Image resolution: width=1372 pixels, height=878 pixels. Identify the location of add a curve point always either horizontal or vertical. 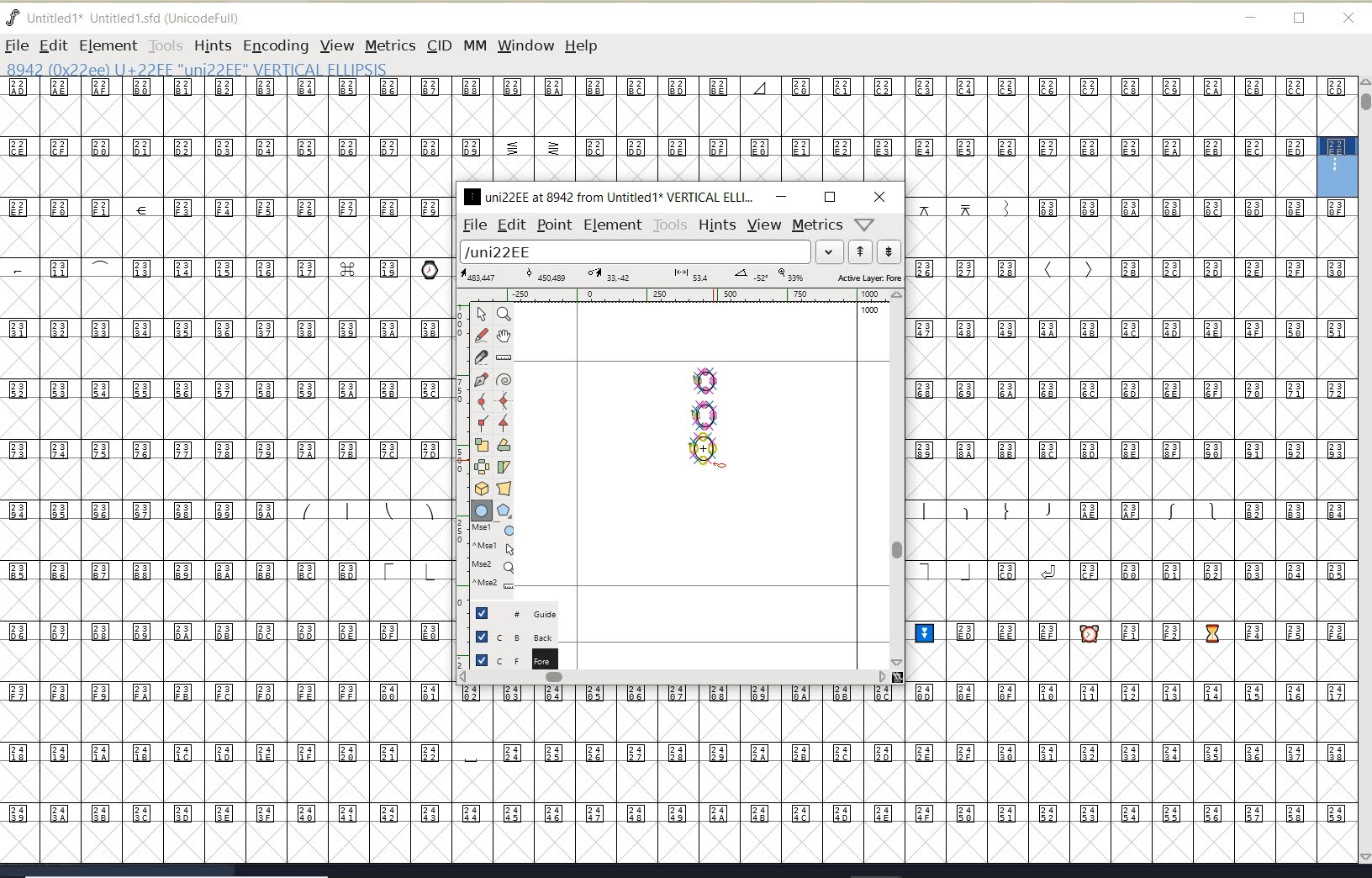
(502, 400).